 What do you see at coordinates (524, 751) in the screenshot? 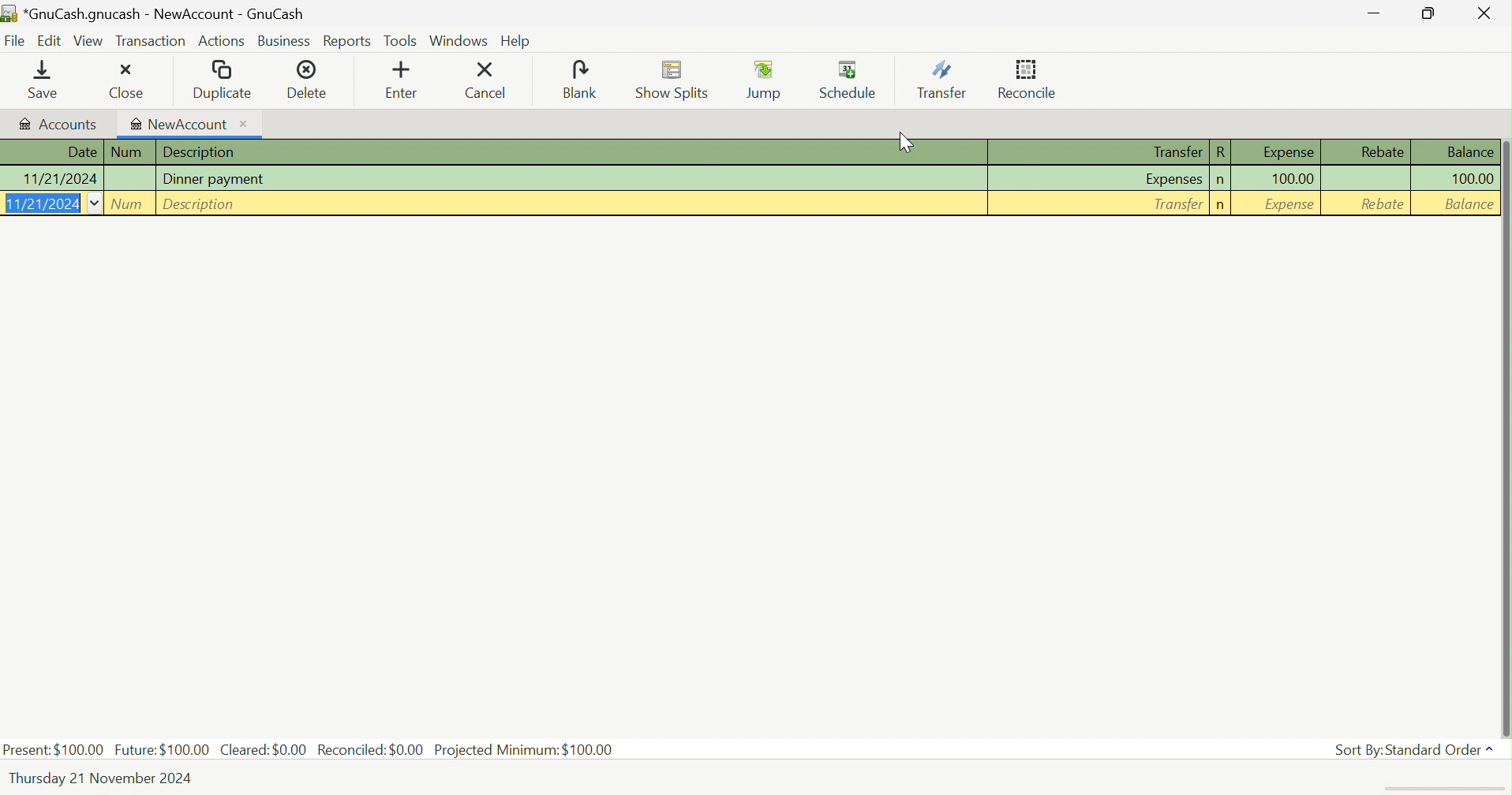
I see `Projected Minimum: $100.00` at bounding box center [524, 751].